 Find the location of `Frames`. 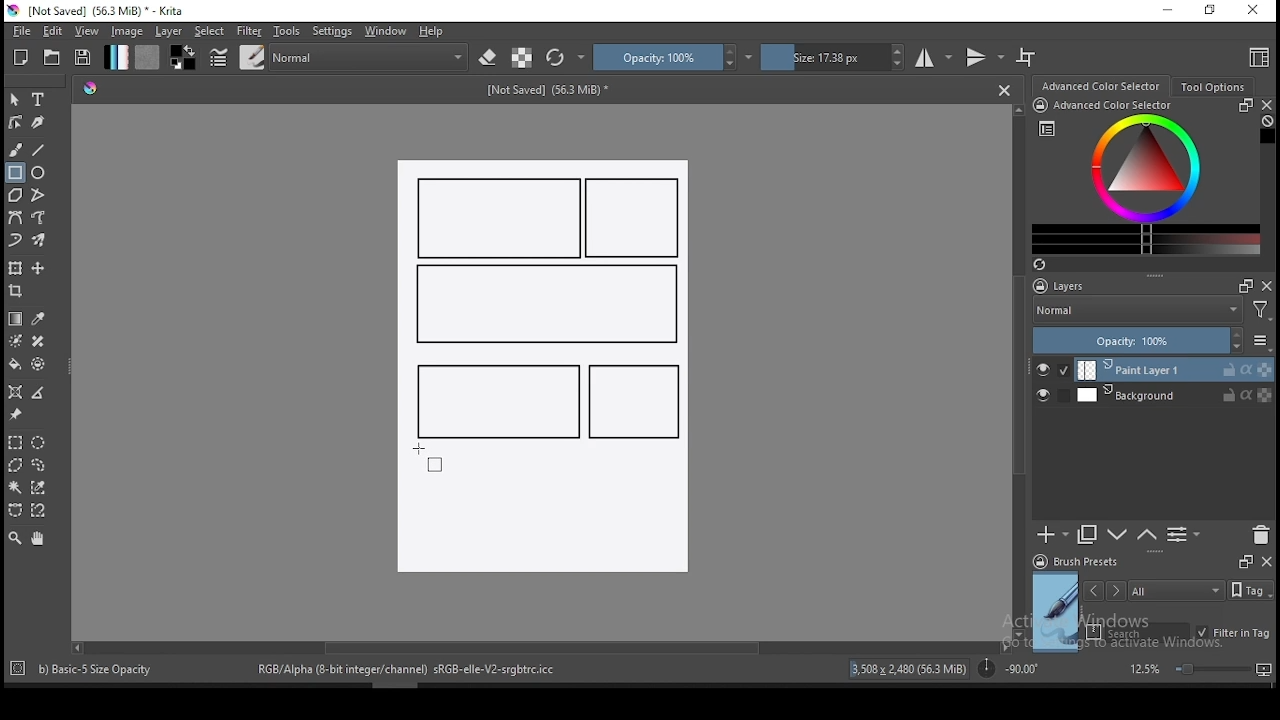

Frames is located at coordinates (1240, 285).